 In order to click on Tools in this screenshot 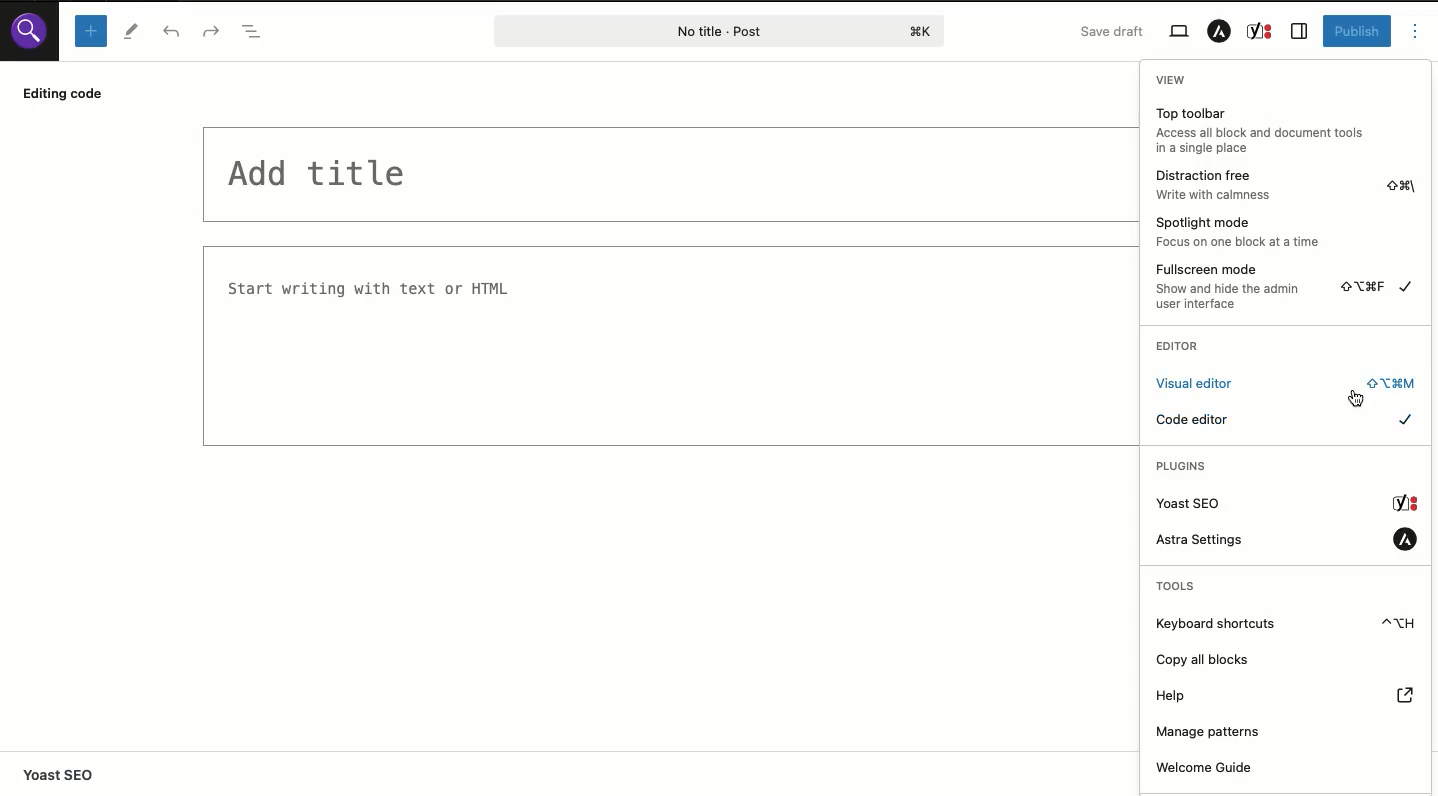, I will do `click(132, 32)`.